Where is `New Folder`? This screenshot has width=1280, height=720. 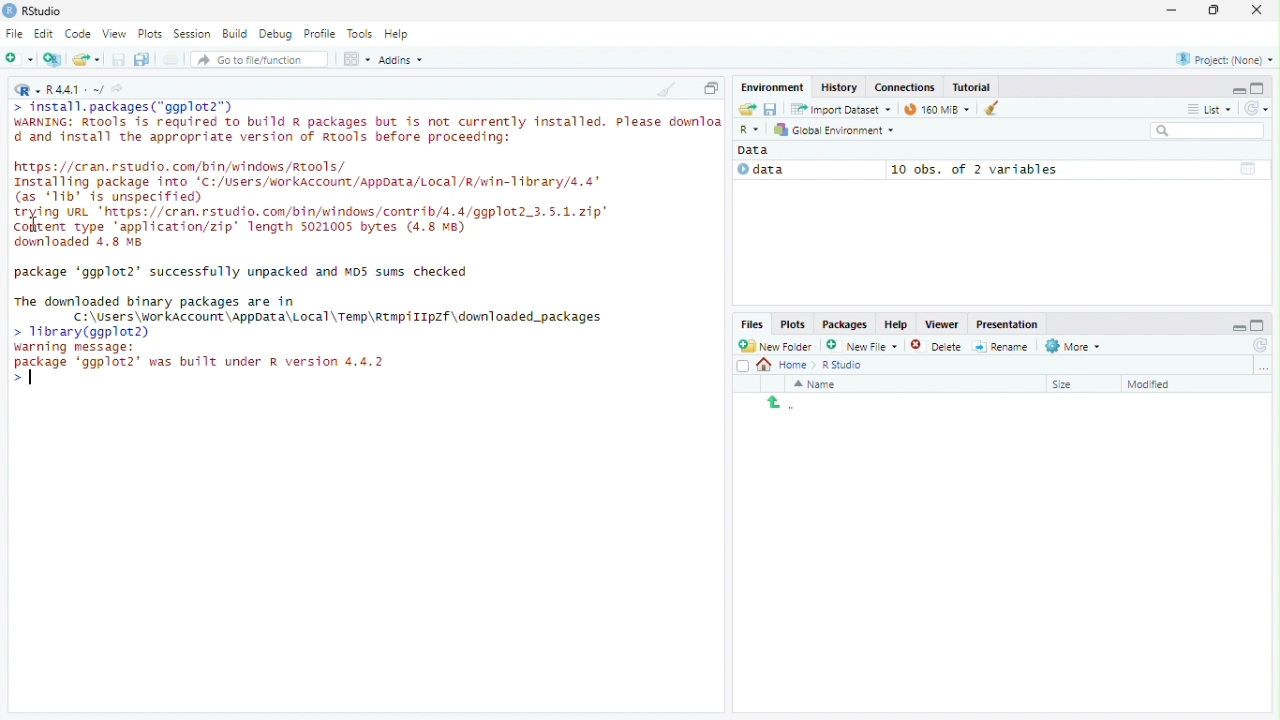
New Folder is located at coordinates (778, 346).